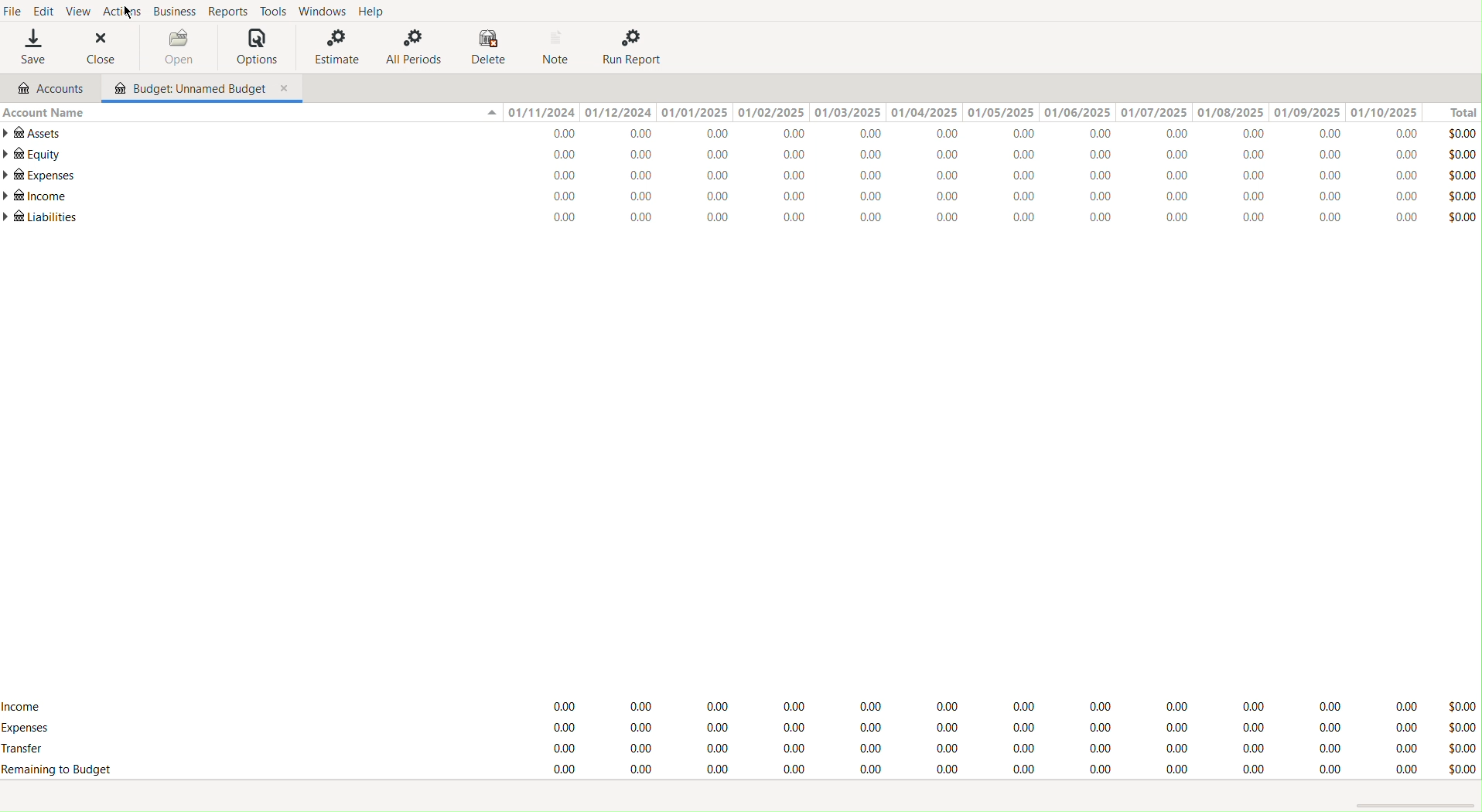 This screenshot has width=1482, height=812. What do you see at coordinates (333, 48) in the screenshot?
I see `Estimate` at bounding box center [333, 48].